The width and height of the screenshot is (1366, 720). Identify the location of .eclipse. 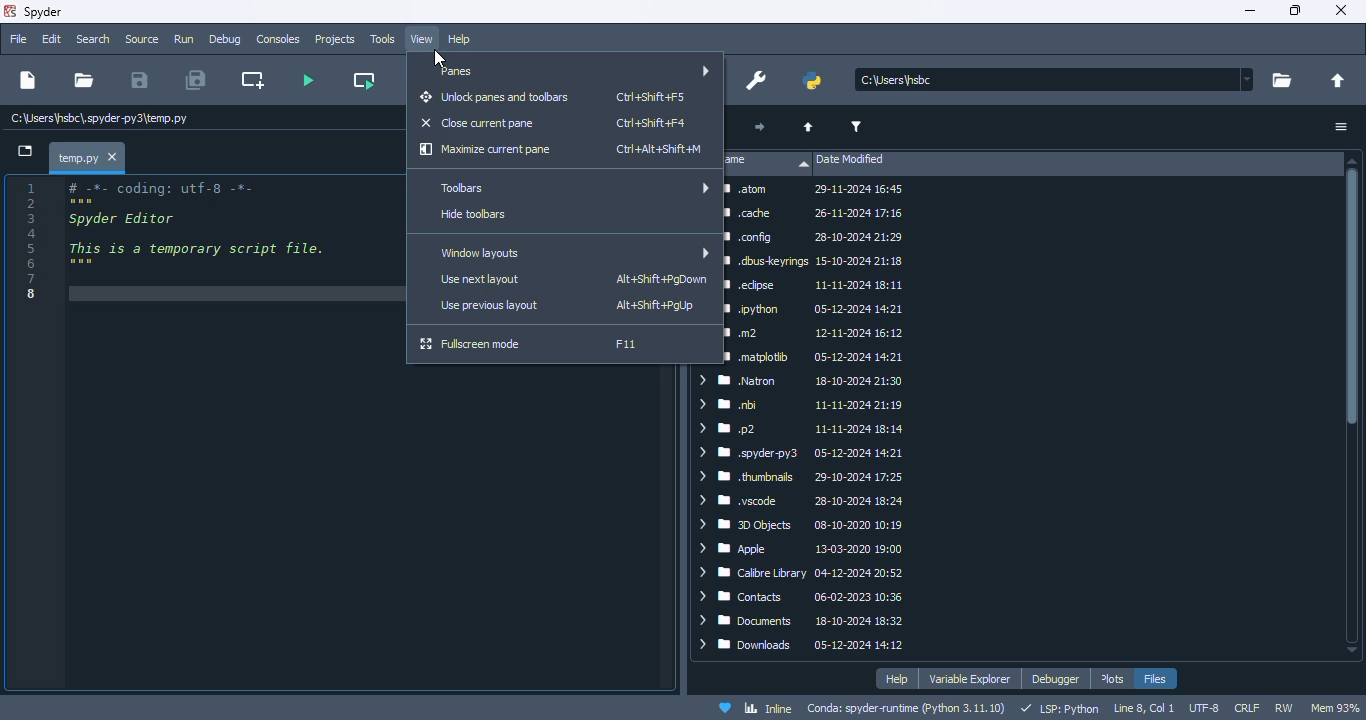
(815, 285).